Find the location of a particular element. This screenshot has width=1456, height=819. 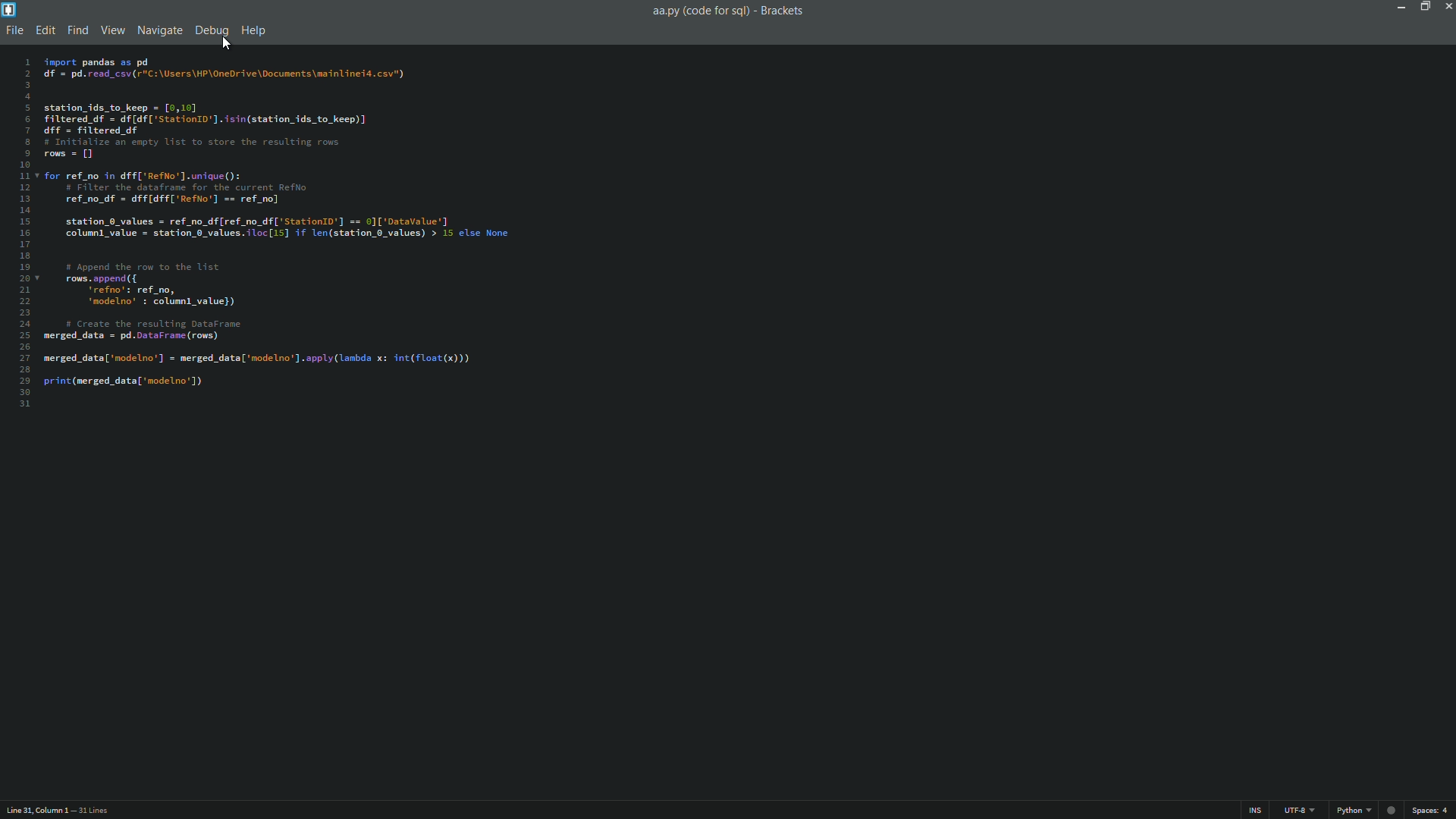

python is located at coordinates (1369, 812).